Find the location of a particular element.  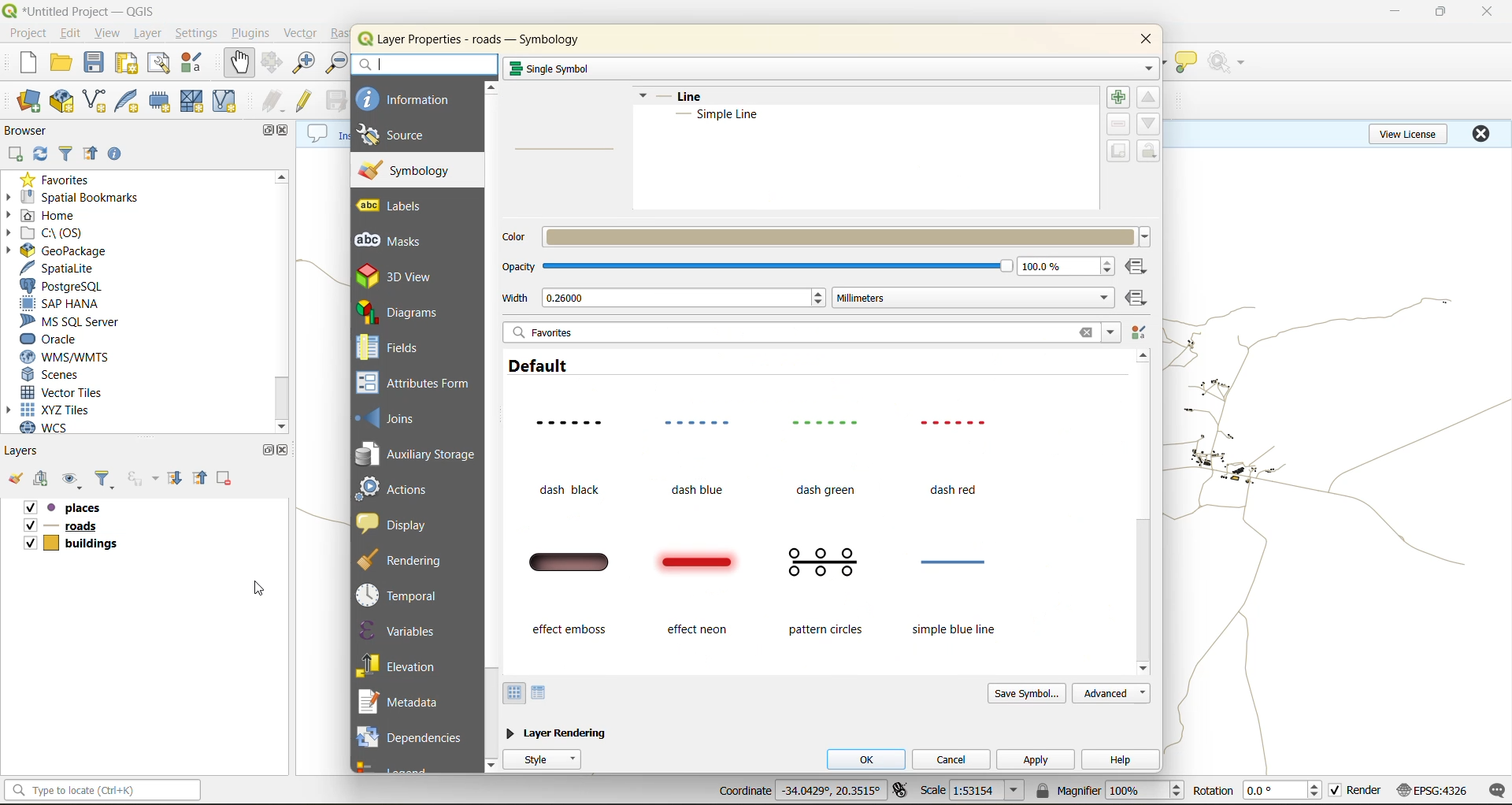

dash red is located at coordinates (963, 463).